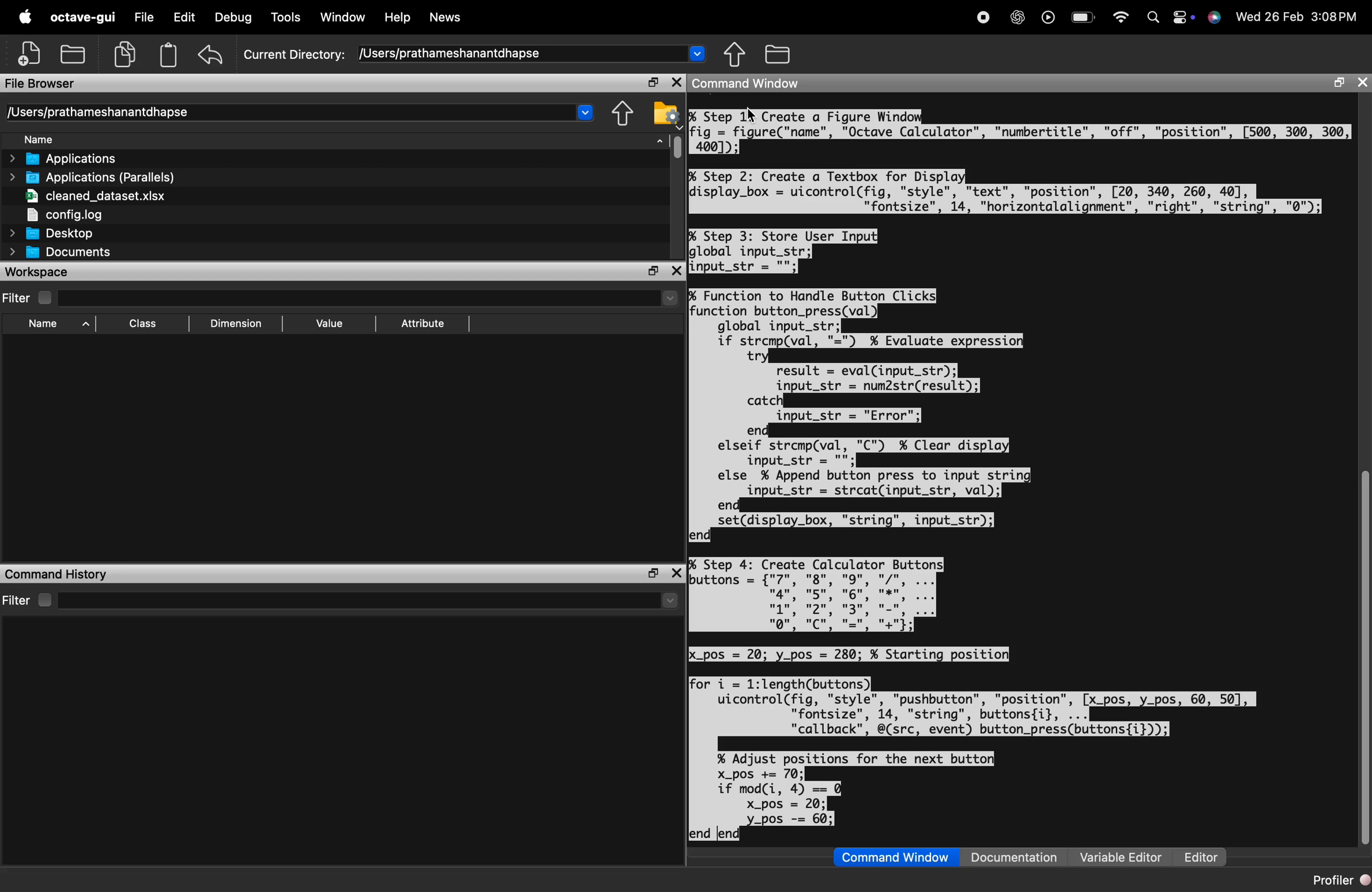 This screenshot has width=1372, height=892. What do you see at coordinates (443, 18) in the screenshot?
I see `News` at bounding box center [443, 18].